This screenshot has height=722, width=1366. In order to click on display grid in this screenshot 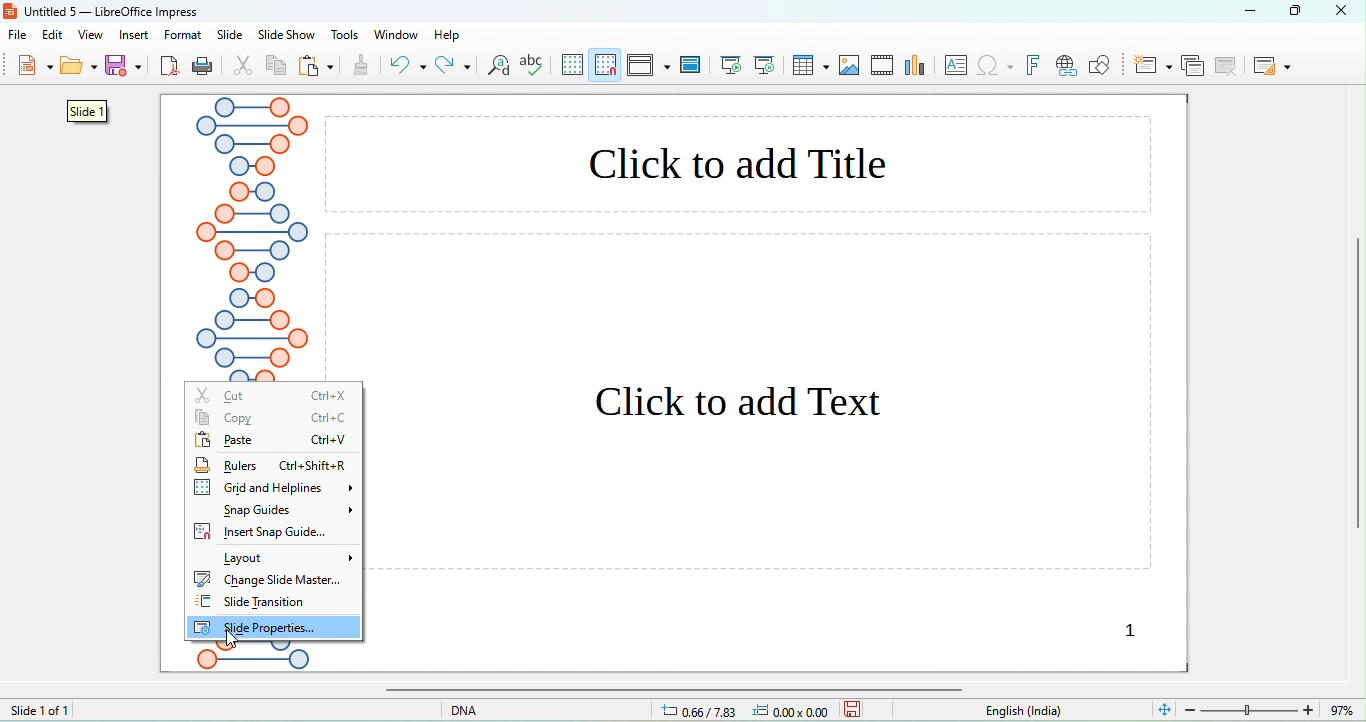, I will do `click(573, 64)`.